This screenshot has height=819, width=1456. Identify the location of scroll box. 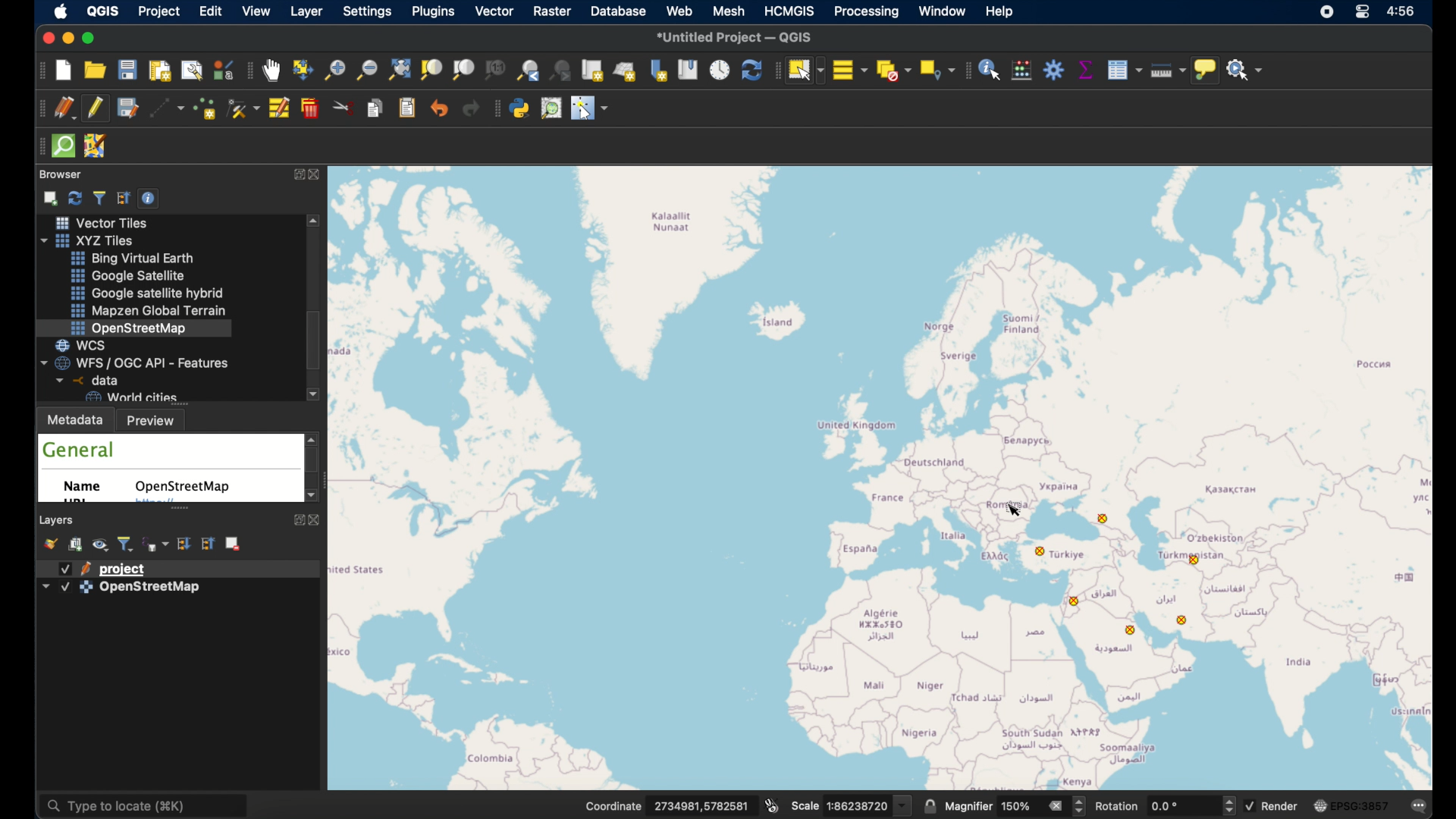
(317, 341).